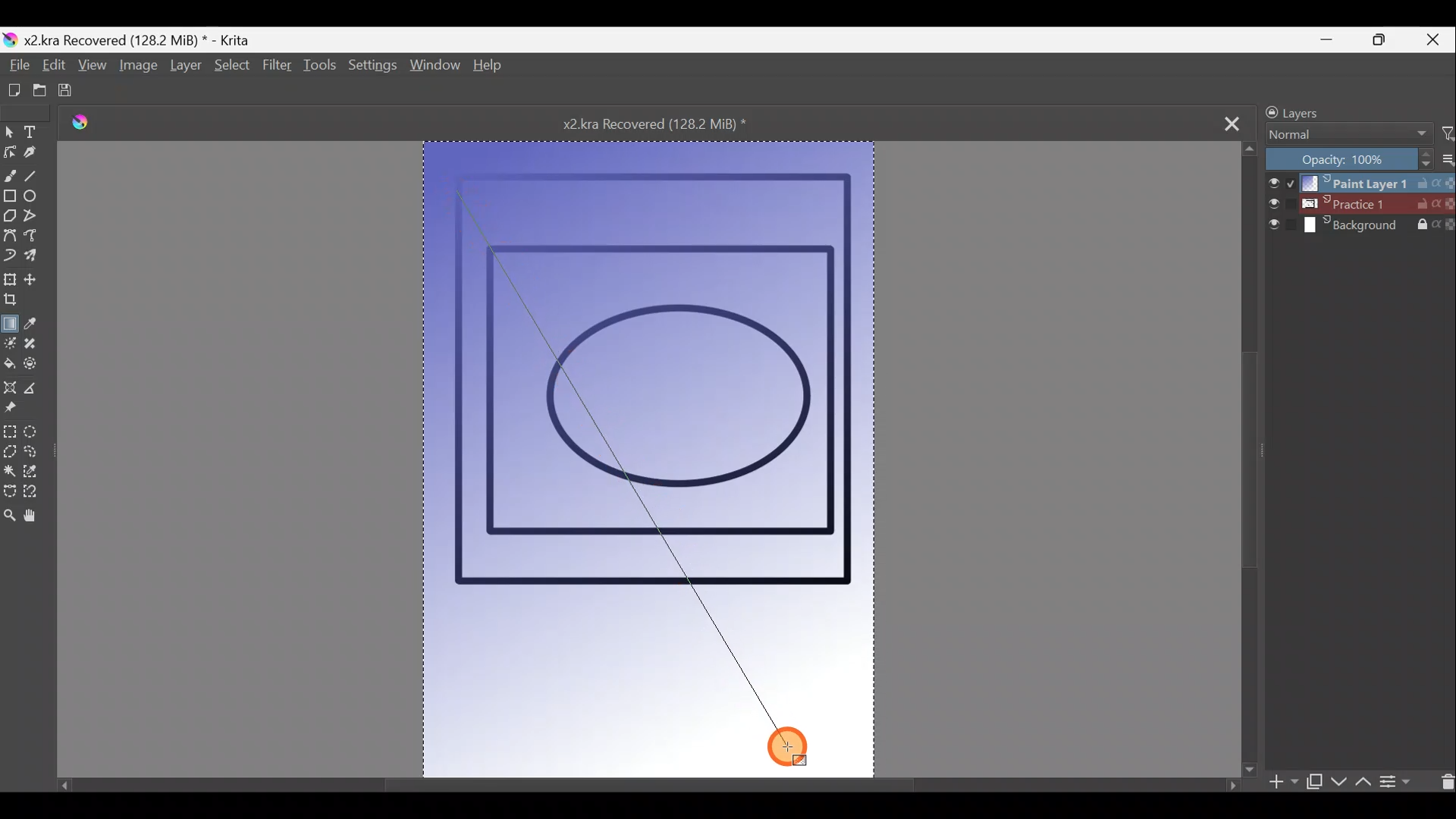 The height and width of the screenshot is (819, 1456). I want to click on Move layer/mask down, so click(1337, 782).